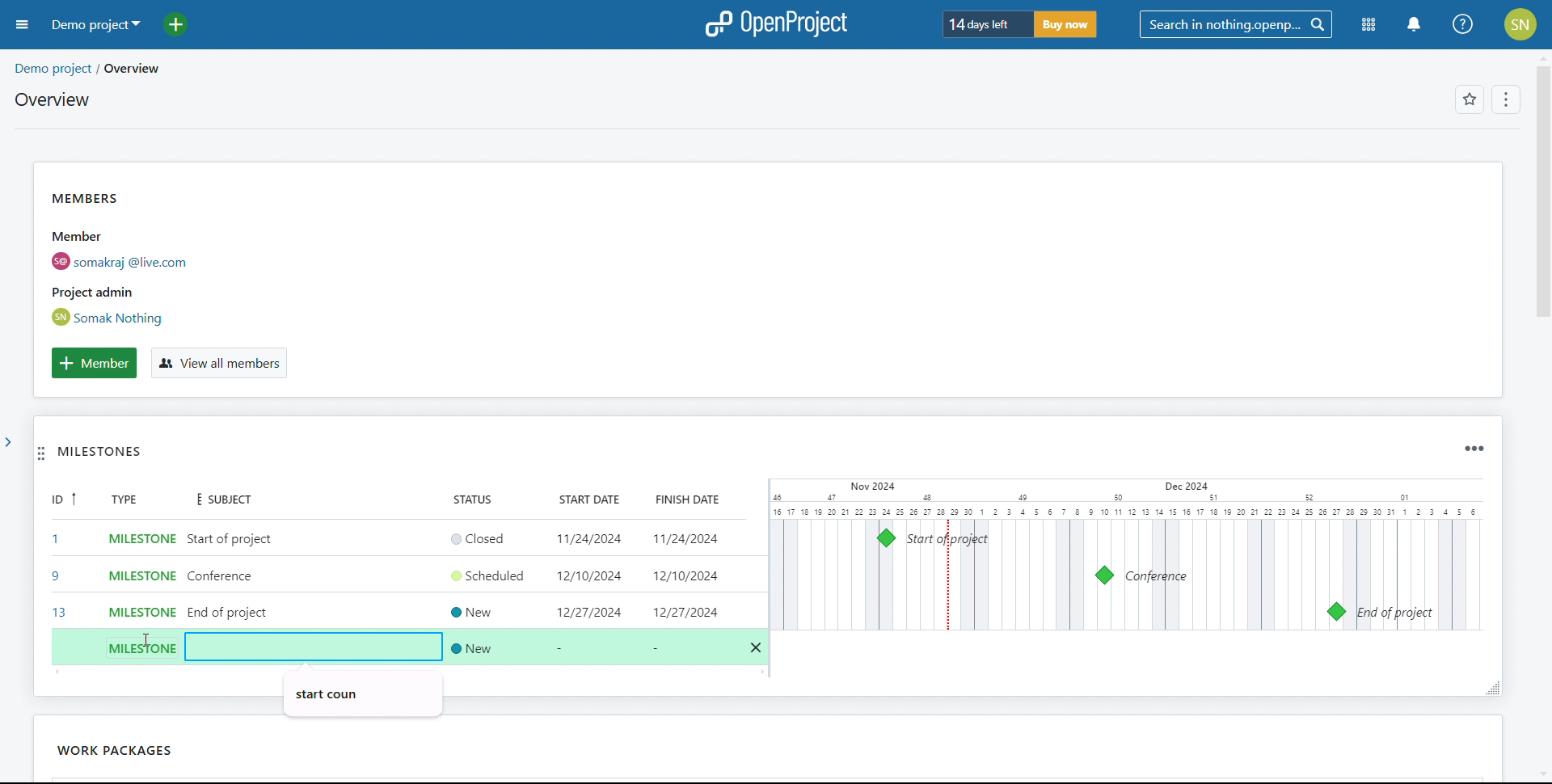 Image resolution: width=1552 pixels, height=784 pixels. Describe the element at coordinates (226, 502) in the screenshot. I see `subject` at that location.